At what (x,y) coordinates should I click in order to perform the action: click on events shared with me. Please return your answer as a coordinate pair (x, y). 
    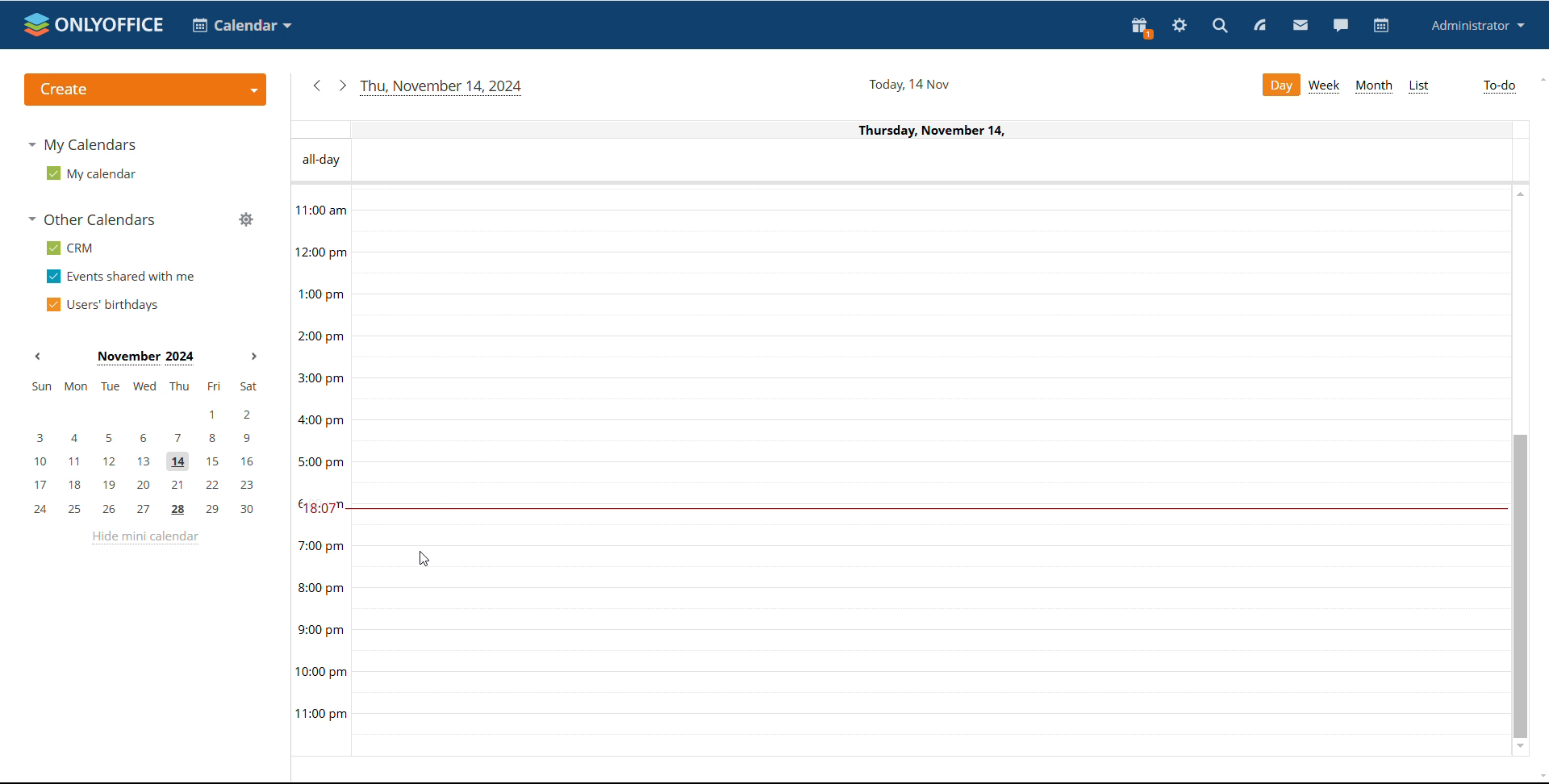
    Looking at the image, I should click on (119, 277).